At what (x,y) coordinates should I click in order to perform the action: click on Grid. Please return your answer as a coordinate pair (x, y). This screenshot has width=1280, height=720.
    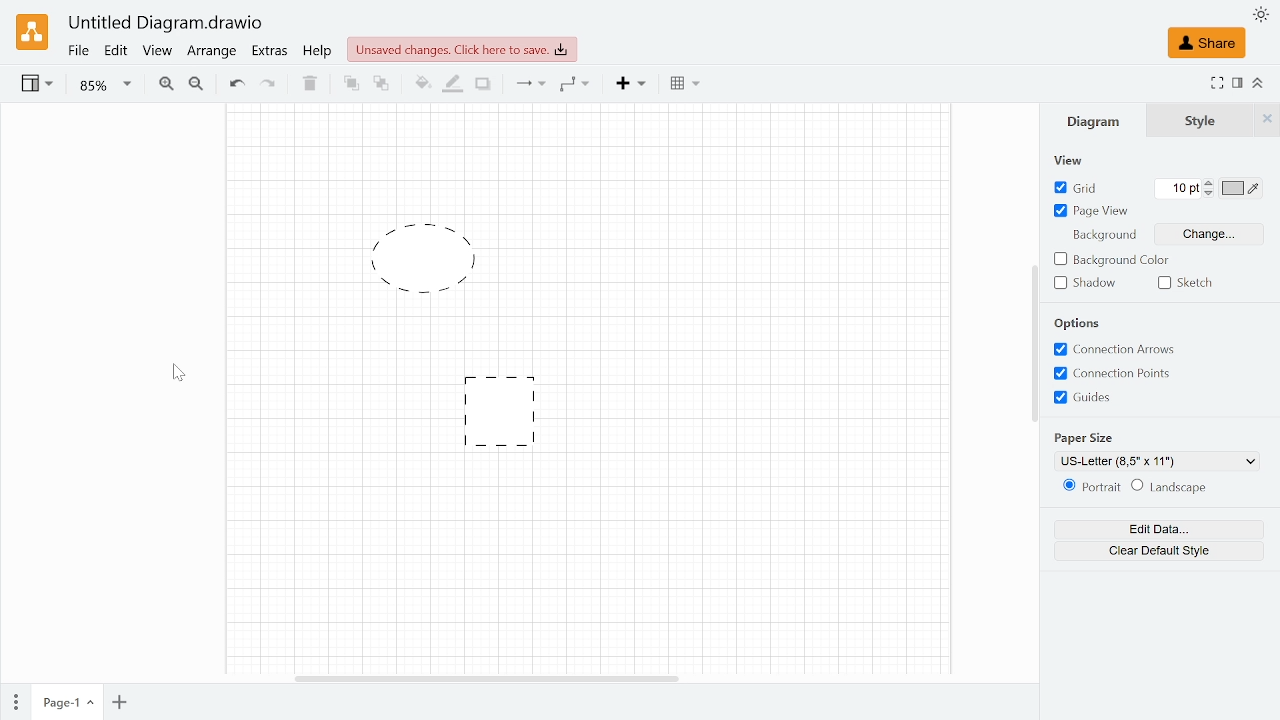
    Looking at the image, I should click on (1078, 189).